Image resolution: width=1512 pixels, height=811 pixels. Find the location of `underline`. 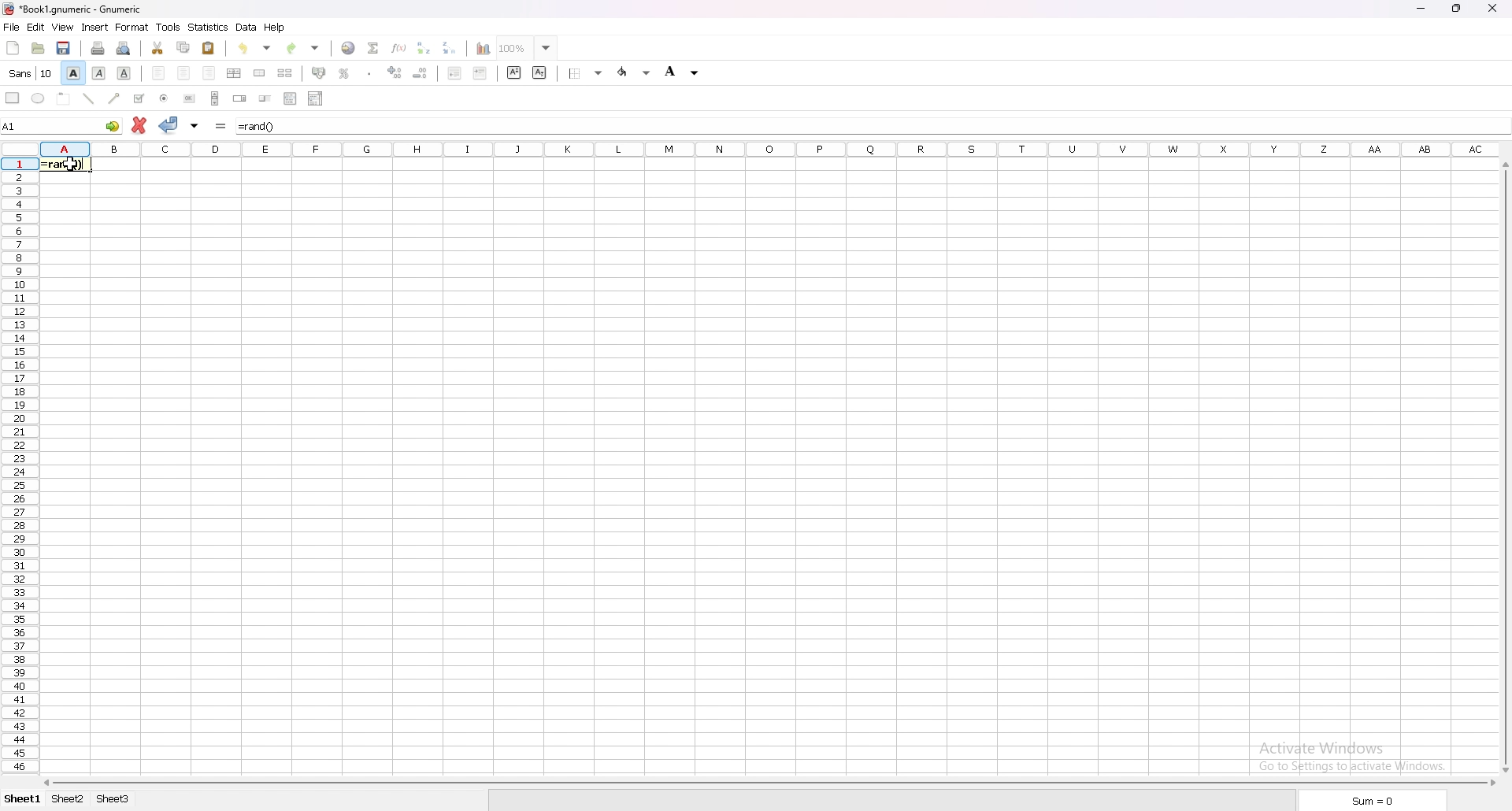

underline is located at coordinates (124, 72).